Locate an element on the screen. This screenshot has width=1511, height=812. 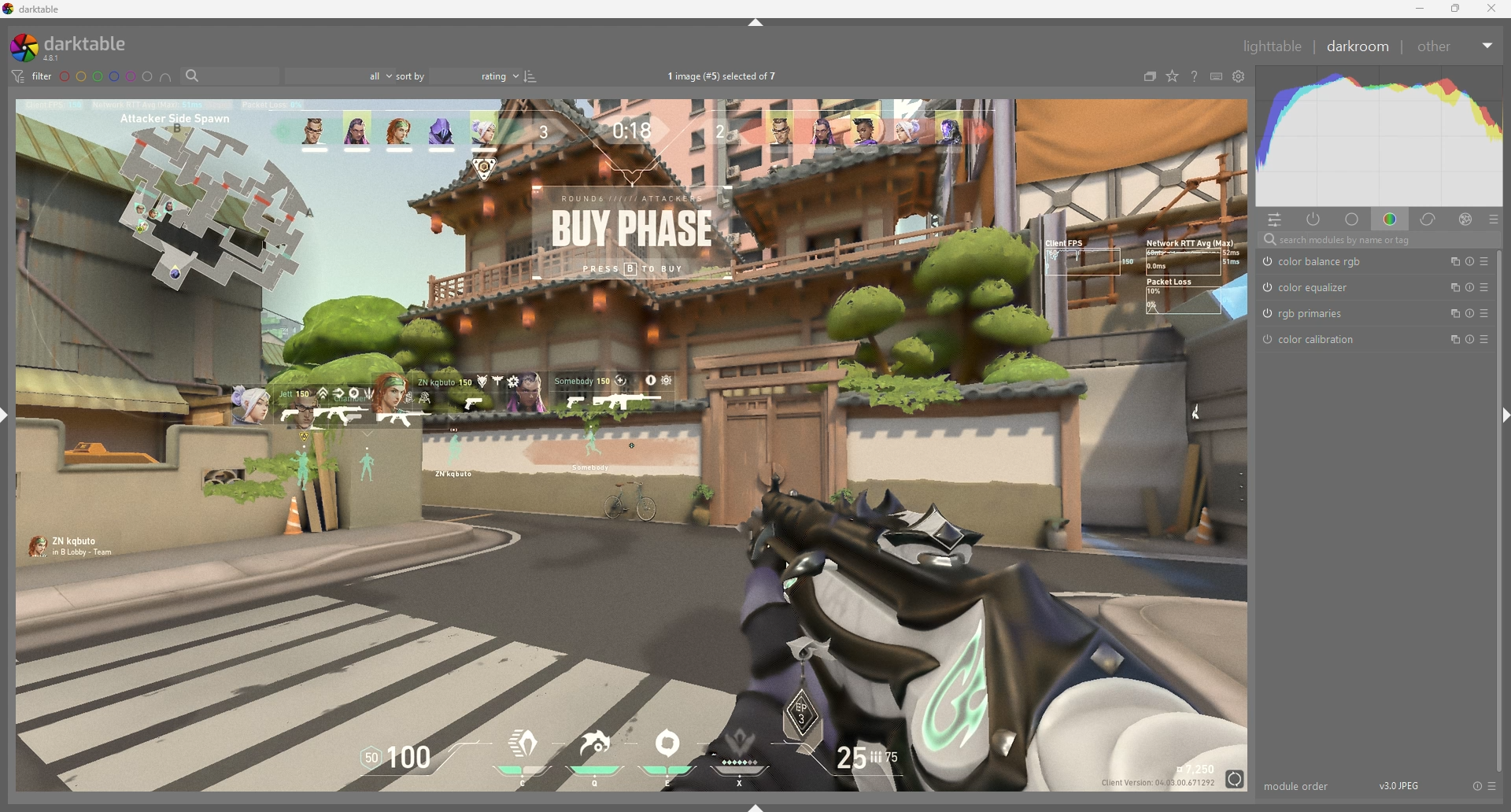
reset is located at coordinates (1471, 339).